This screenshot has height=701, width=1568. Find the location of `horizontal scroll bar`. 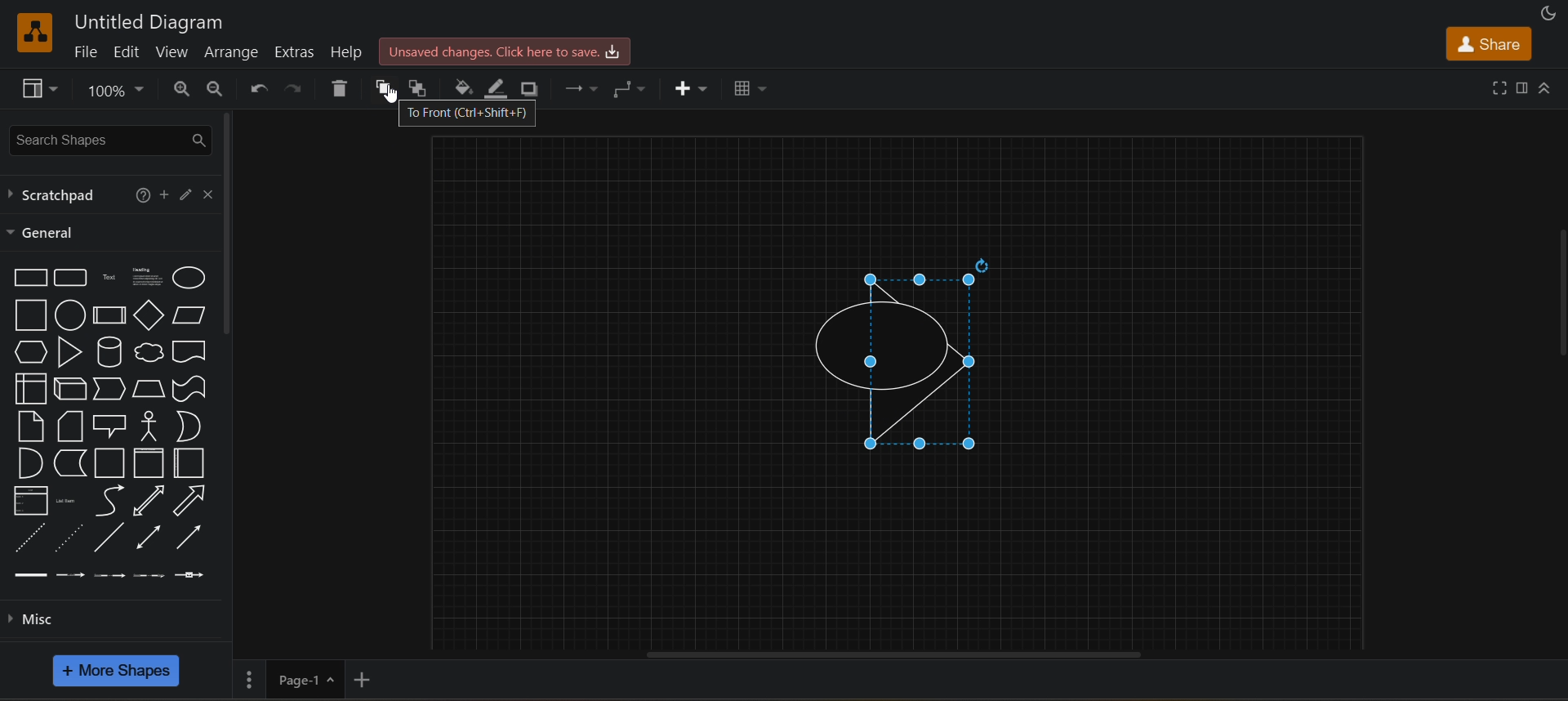

horizontal scroll bar is located at coordinates (905, 654).